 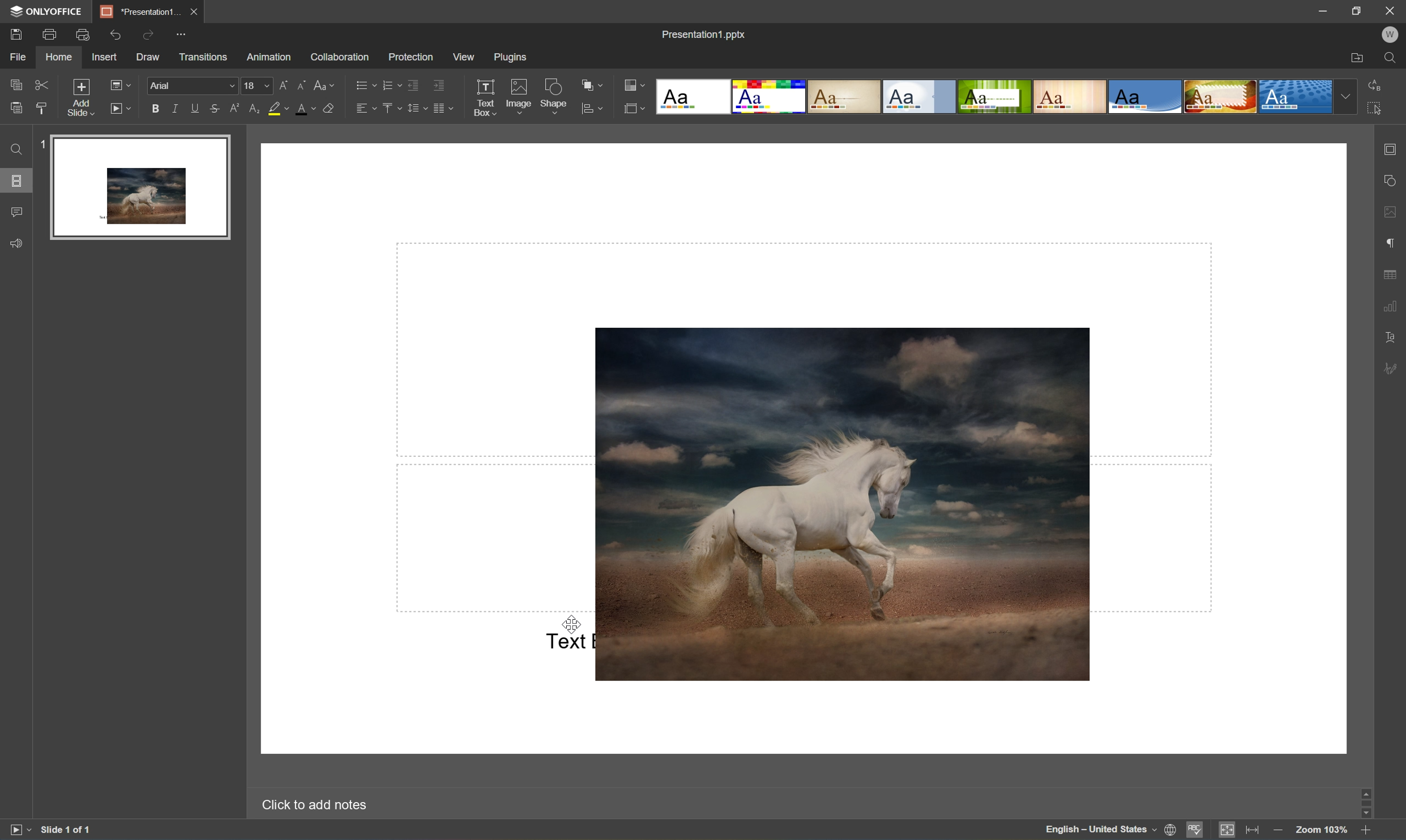 What do you see at coordinates (554, 98) in the screenshot?
I see `Shape` at bounding box center [554, 98].